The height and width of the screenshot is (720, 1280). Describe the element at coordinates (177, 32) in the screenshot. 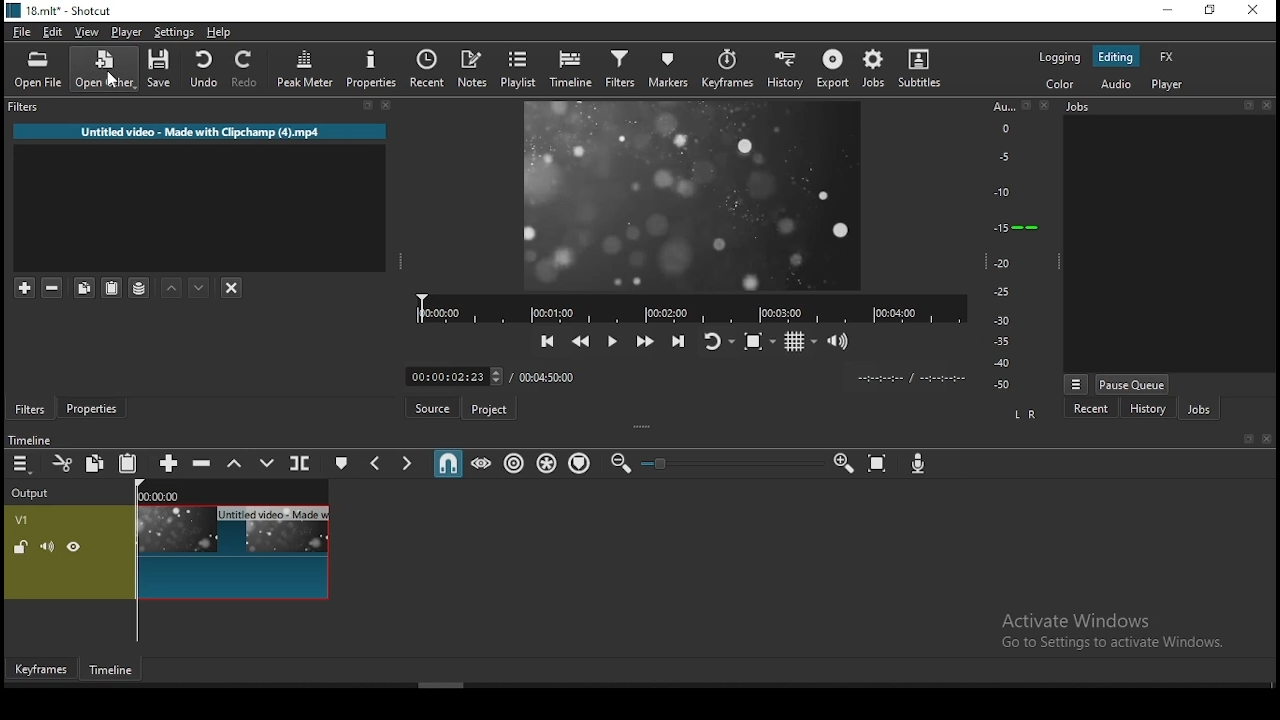

I see `settings` at that location.